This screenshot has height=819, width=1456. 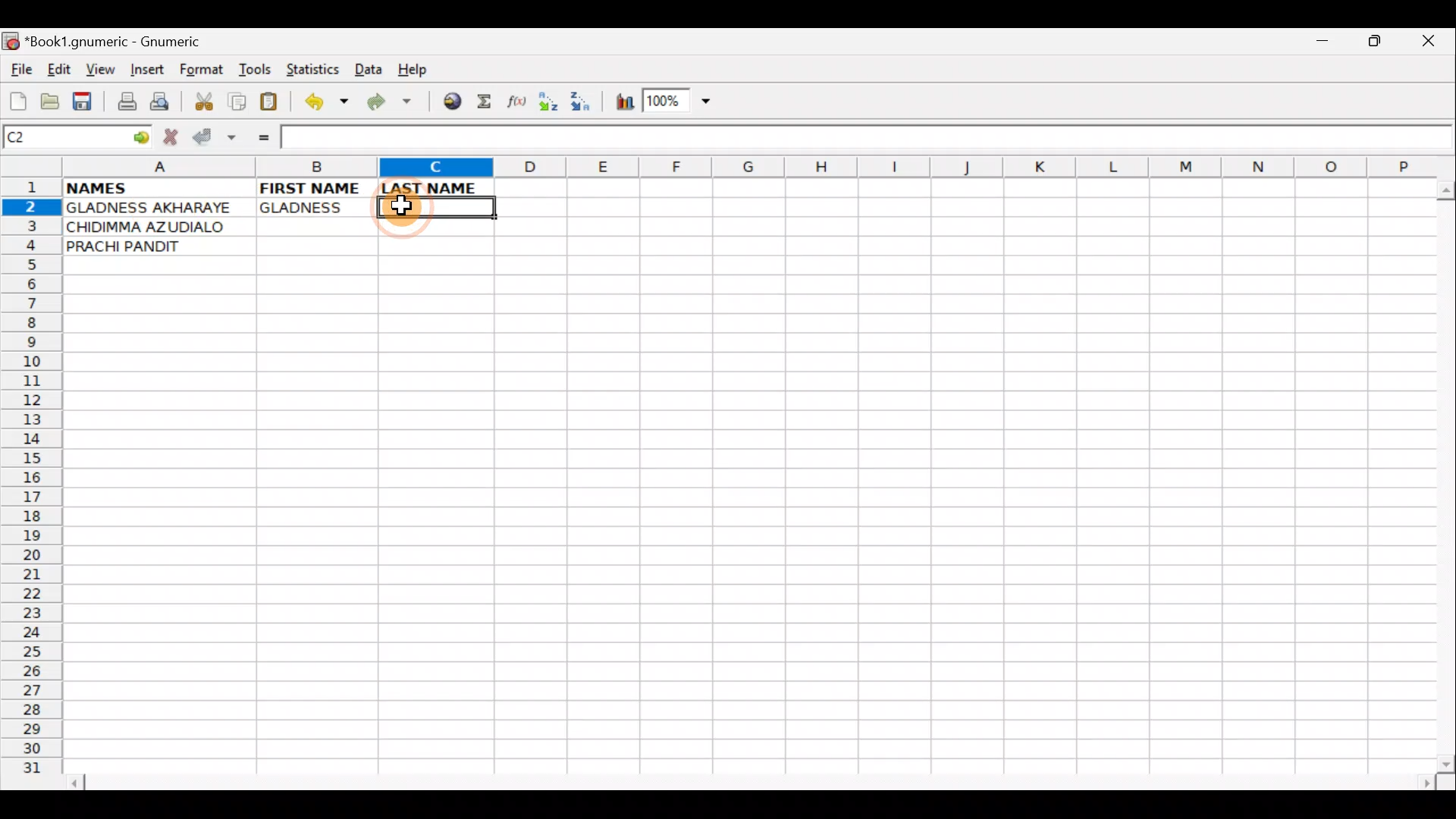 I want to click on Sort Ascending order, so click(x=553, y=105).